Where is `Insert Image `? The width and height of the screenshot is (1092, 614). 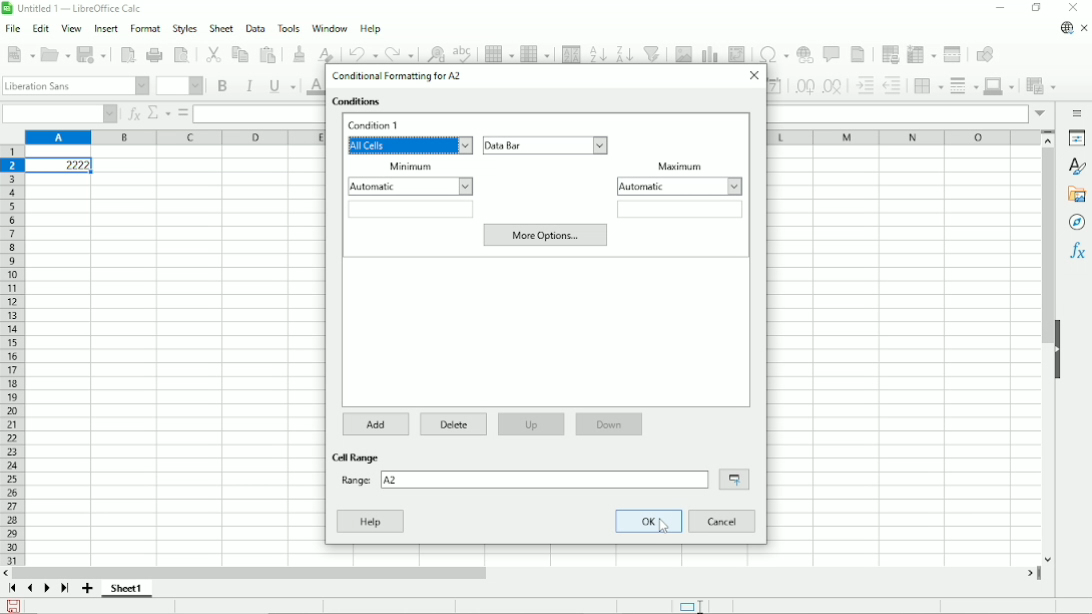 Insert Image  is located at coordinates (683, 53).